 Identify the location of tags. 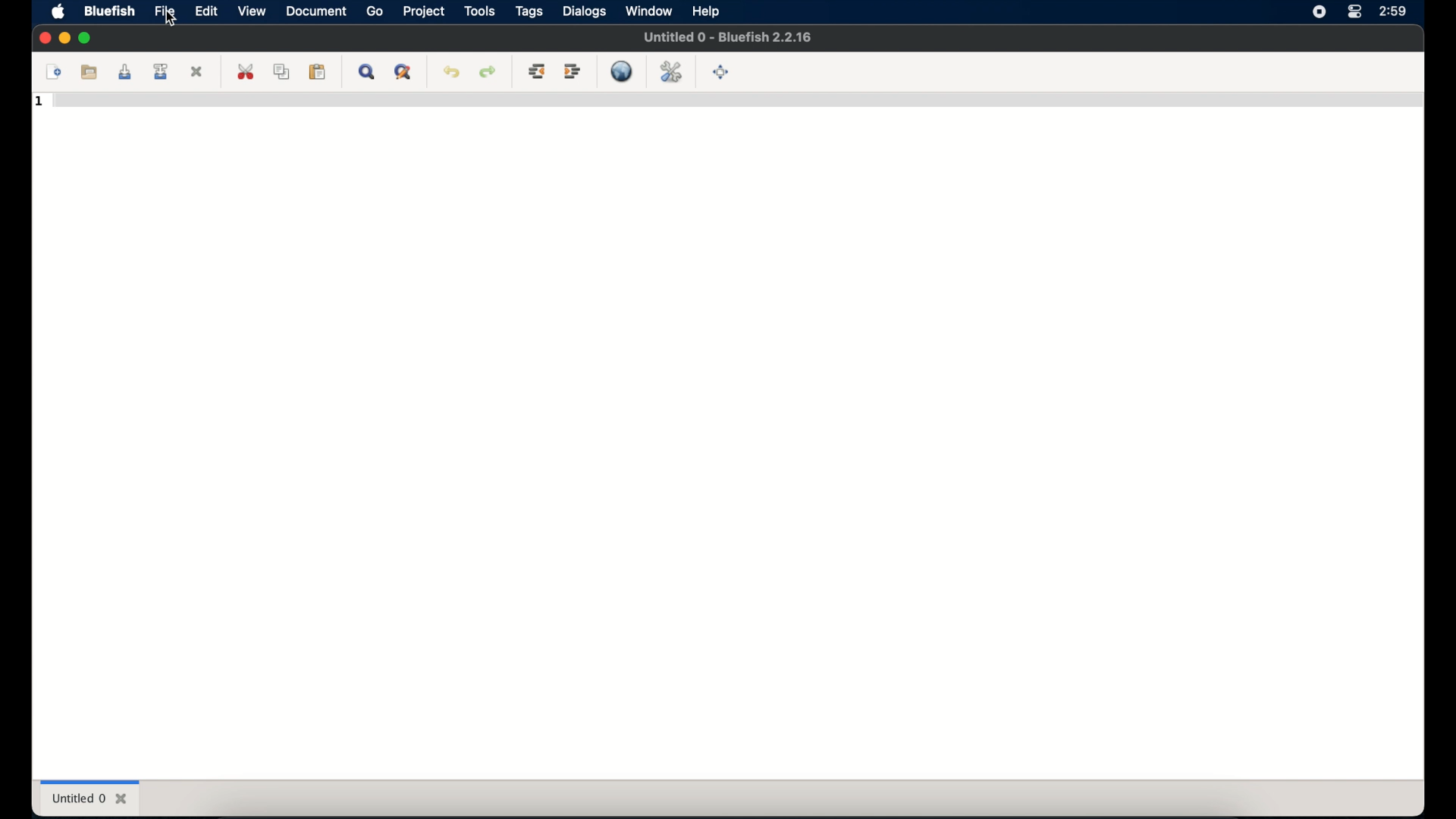
(530, 11).